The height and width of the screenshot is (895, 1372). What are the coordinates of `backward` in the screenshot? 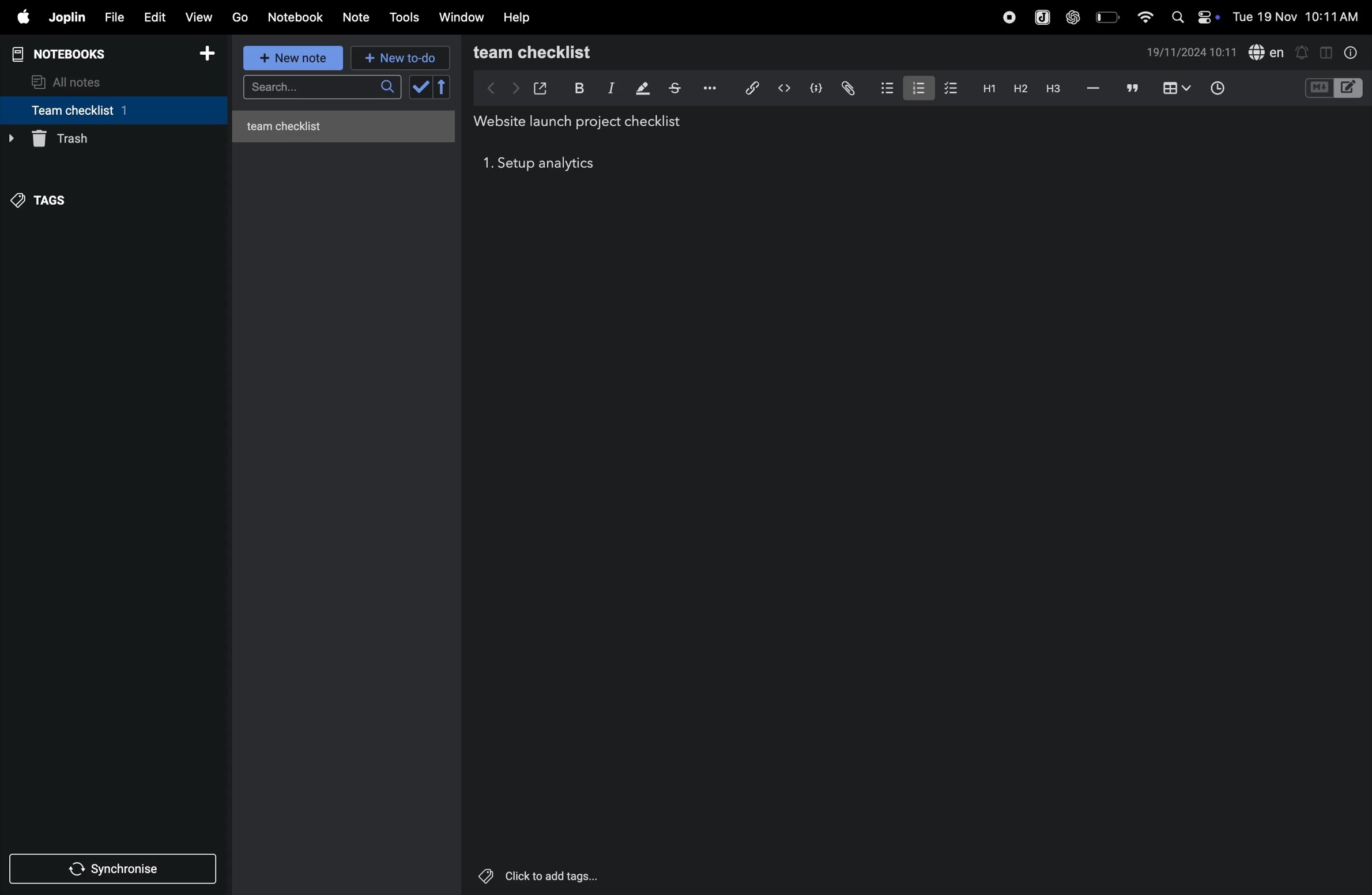 It's located at (485, 88).